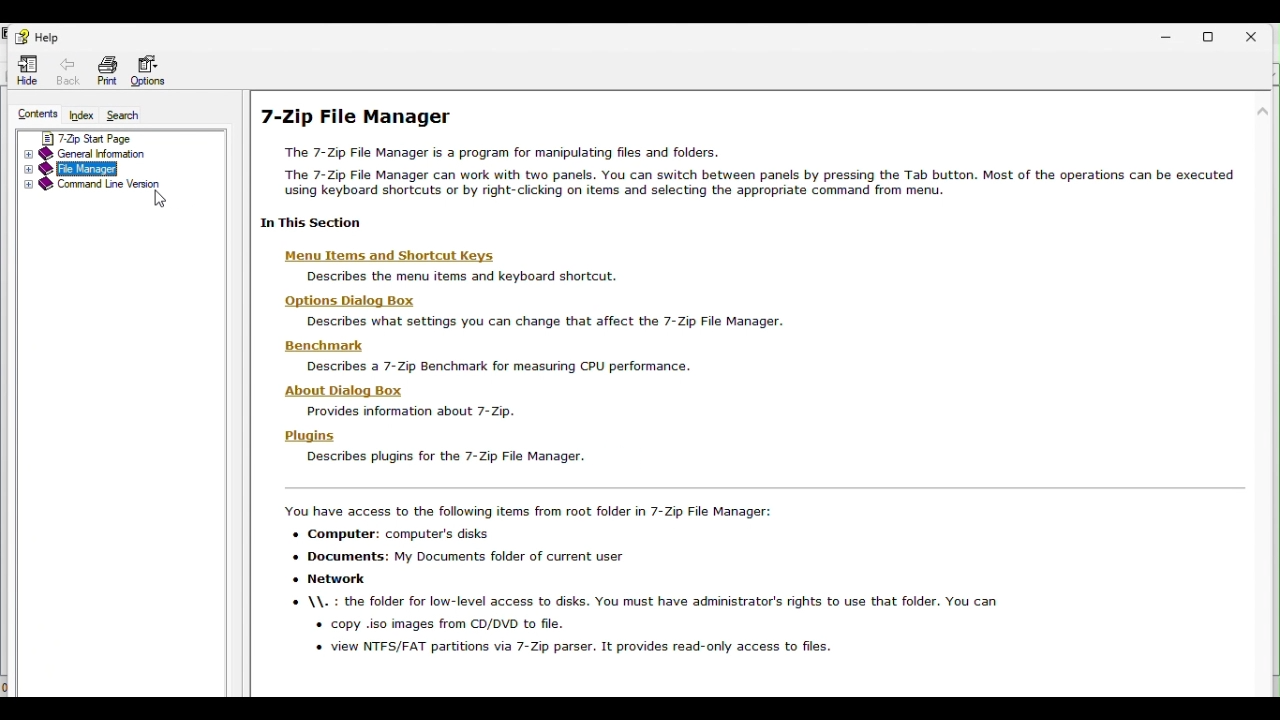  I want to click on 7-zip file manager, so click(368, 114).